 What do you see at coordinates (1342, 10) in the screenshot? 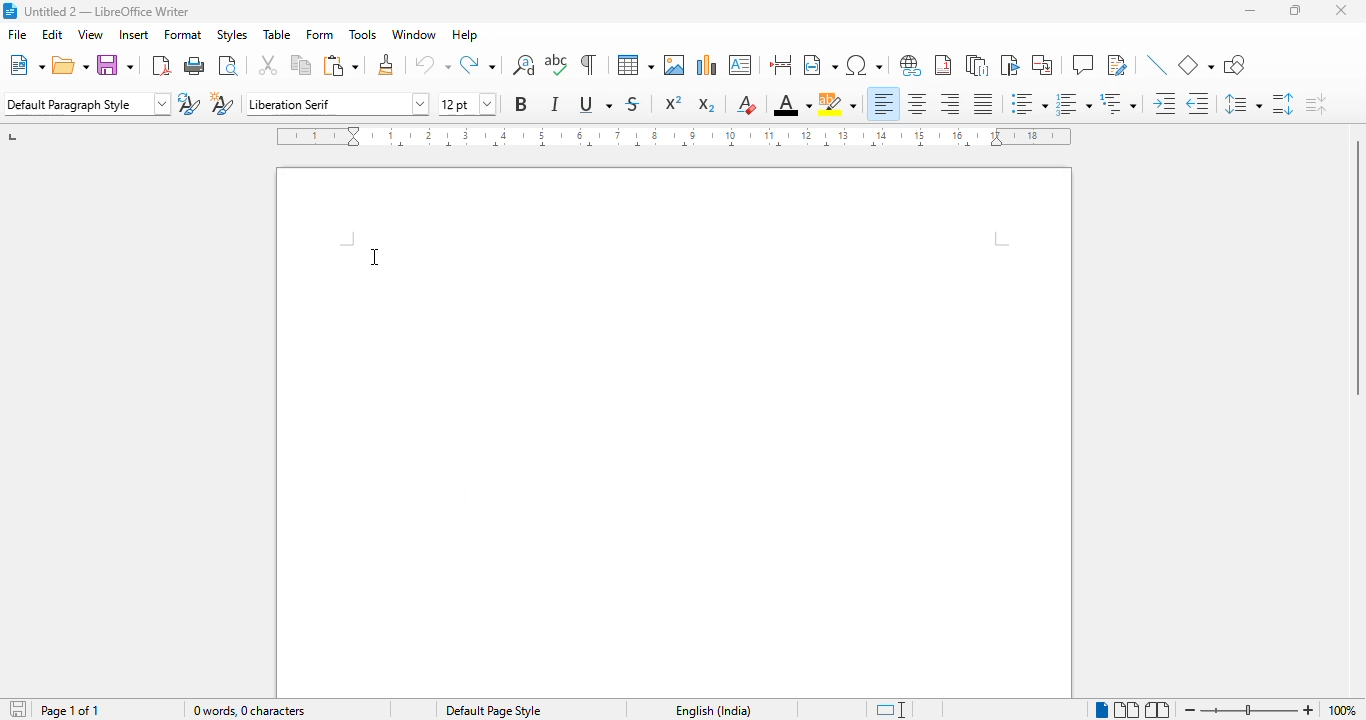
I see `close` at bounding box center [1342, 10].